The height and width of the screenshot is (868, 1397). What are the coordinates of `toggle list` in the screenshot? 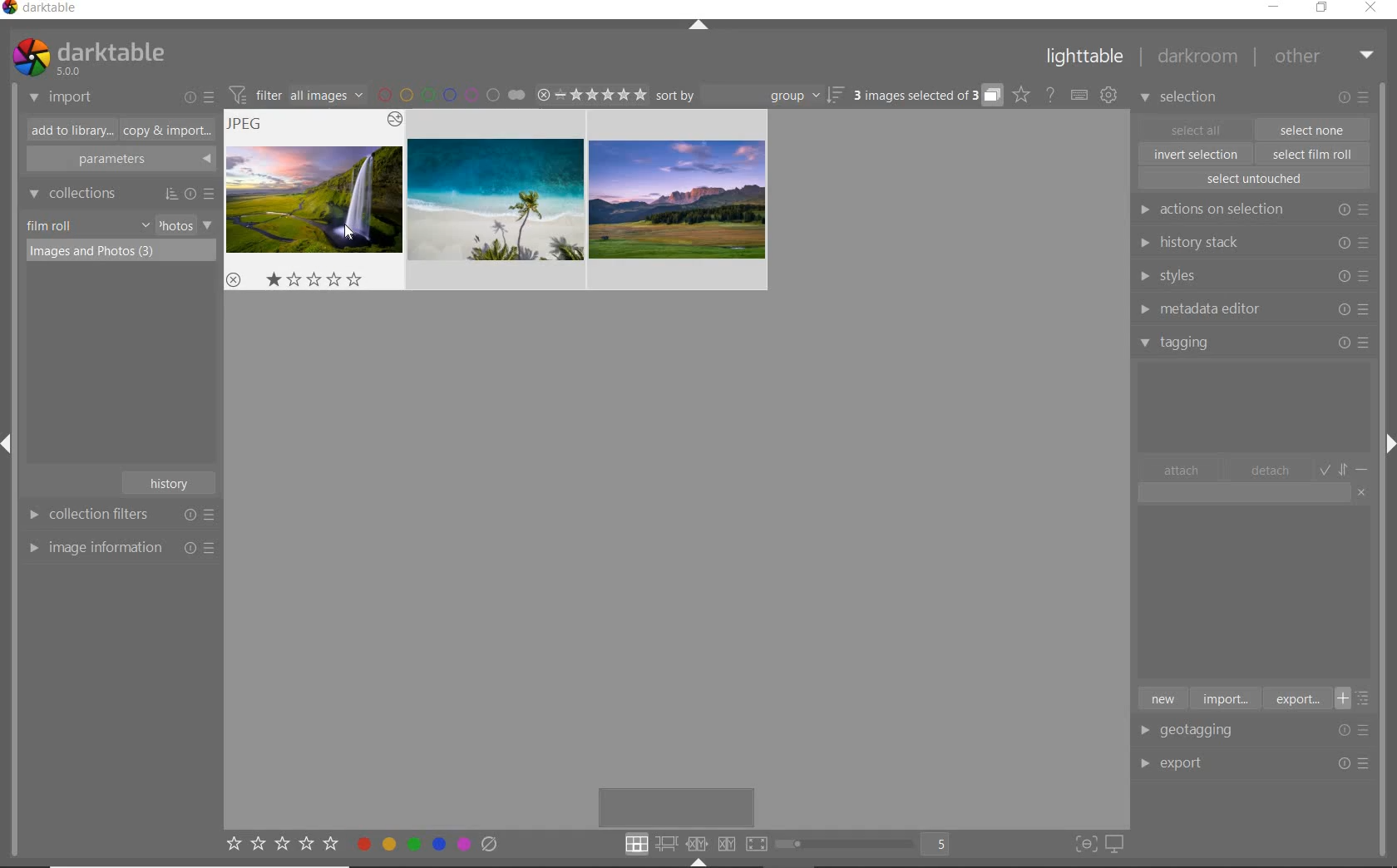 It's located at (1358, 698).